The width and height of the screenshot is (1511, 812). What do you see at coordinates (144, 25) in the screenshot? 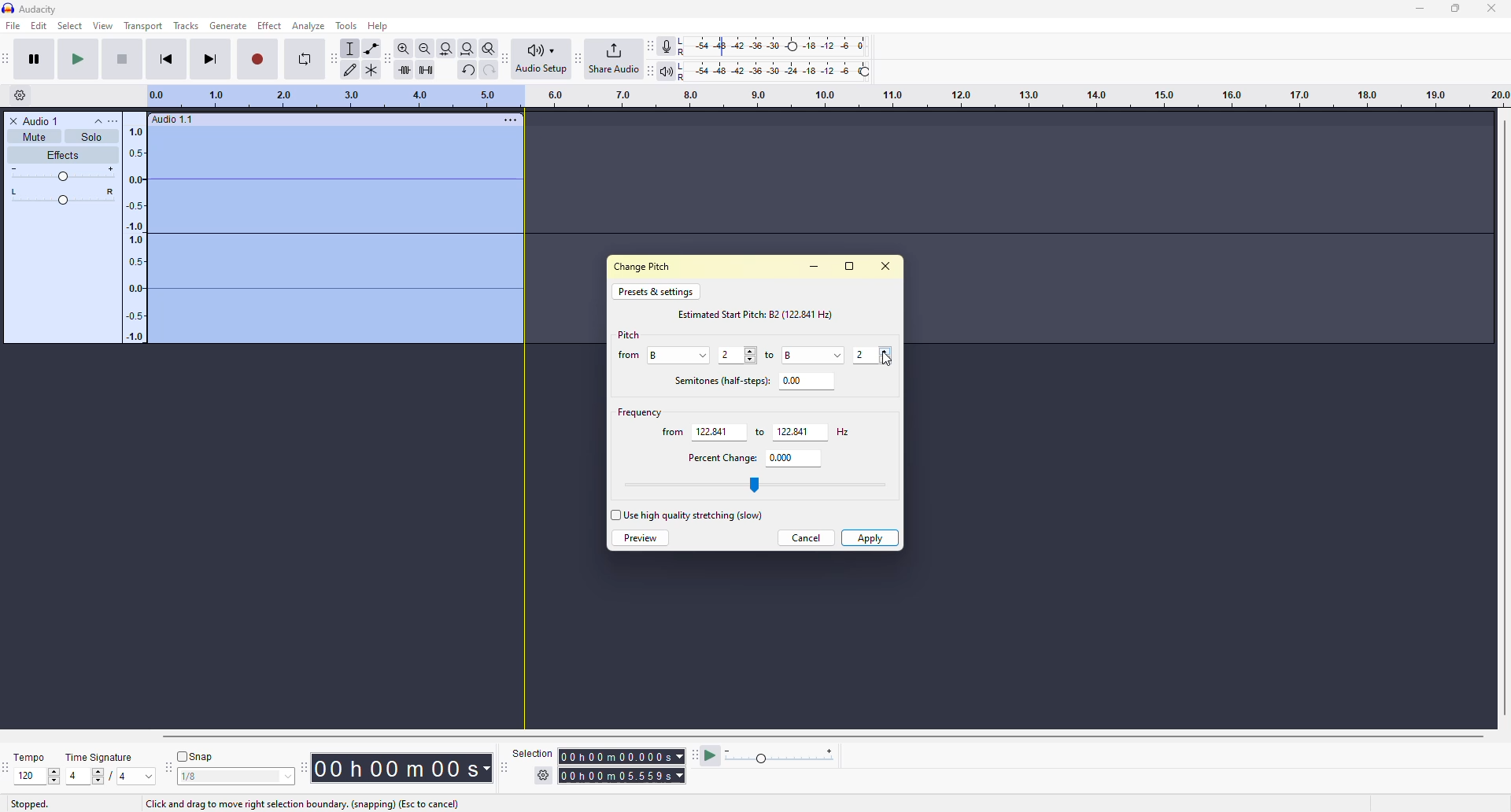
I see `transport` at bounding box center [144, 25].